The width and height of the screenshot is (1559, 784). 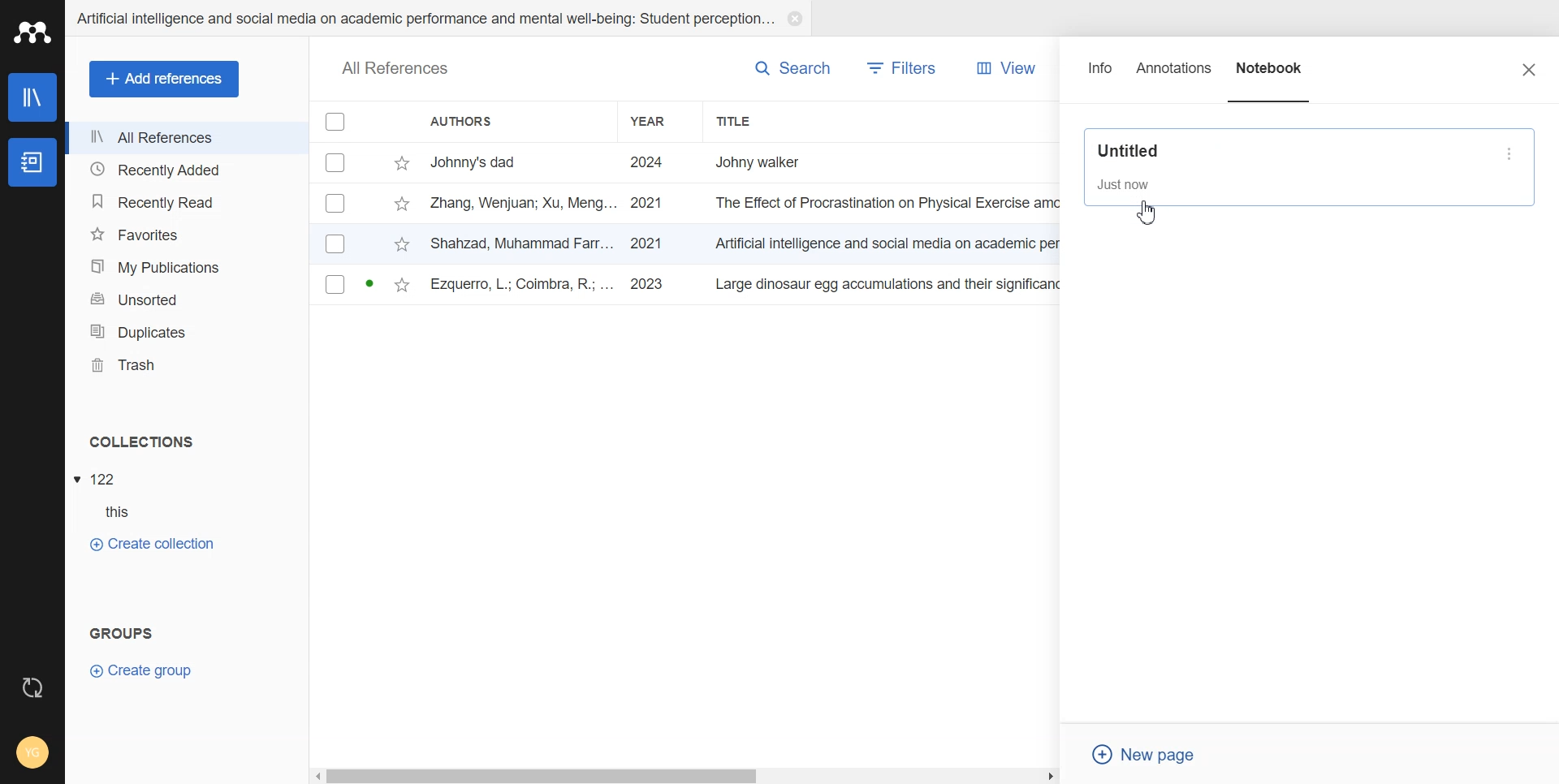 I want to click on View, so click(x=1001, y=68).